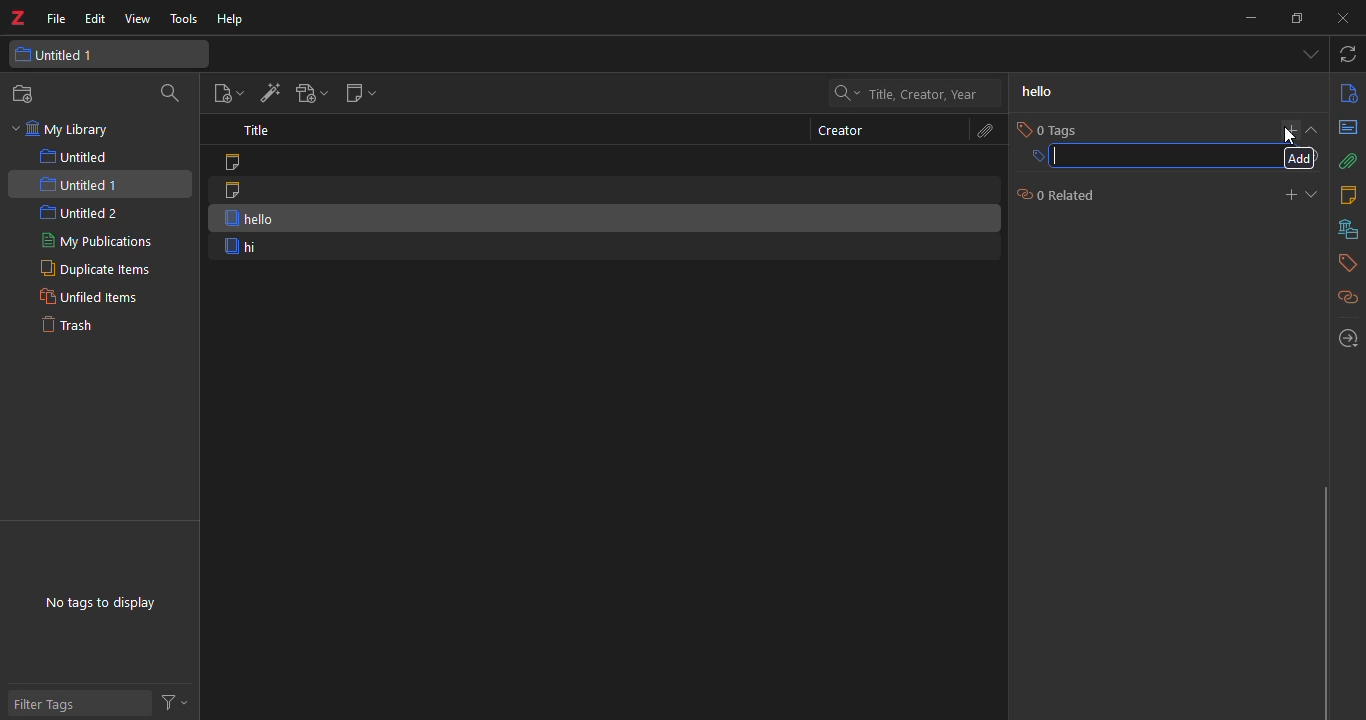 This screenshot has height=720, width=1366. I want to click on filter tags, so click(56, 703).